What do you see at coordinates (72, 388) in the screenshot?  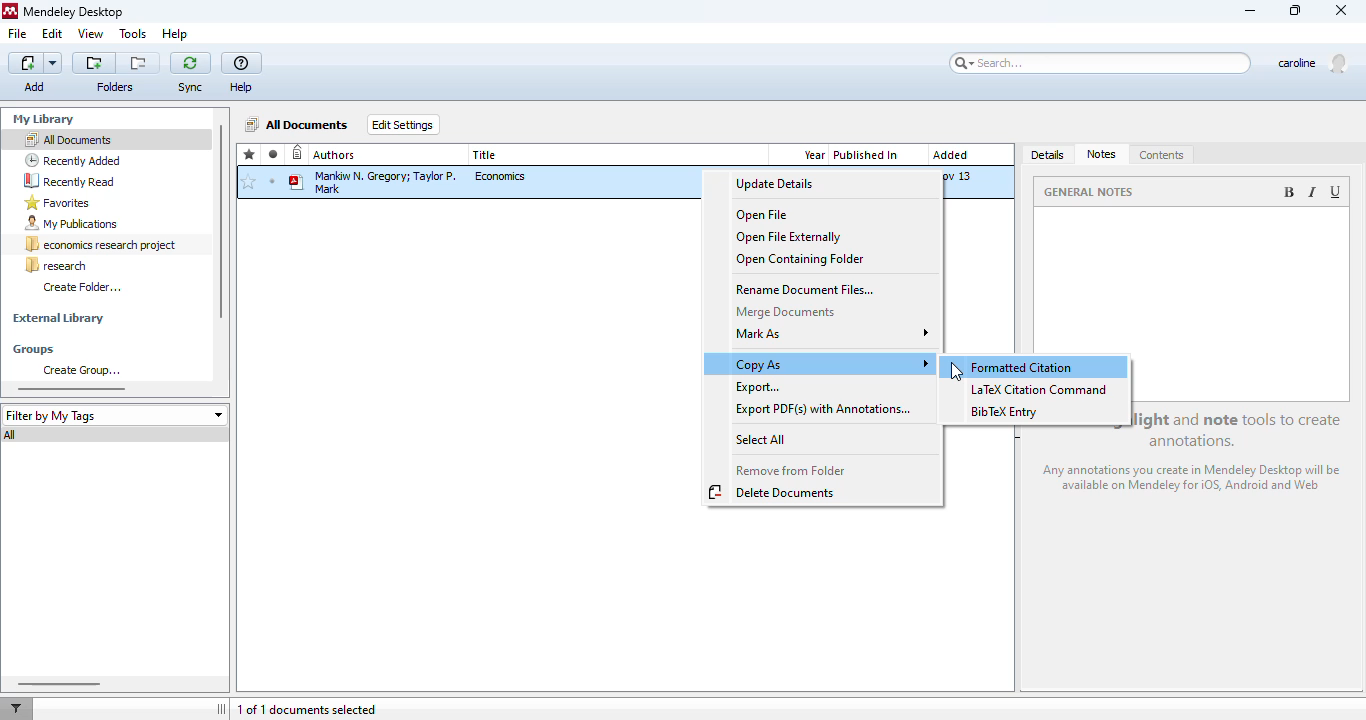 I see `horizontal scroll bar` at bounding box center [72, 388].